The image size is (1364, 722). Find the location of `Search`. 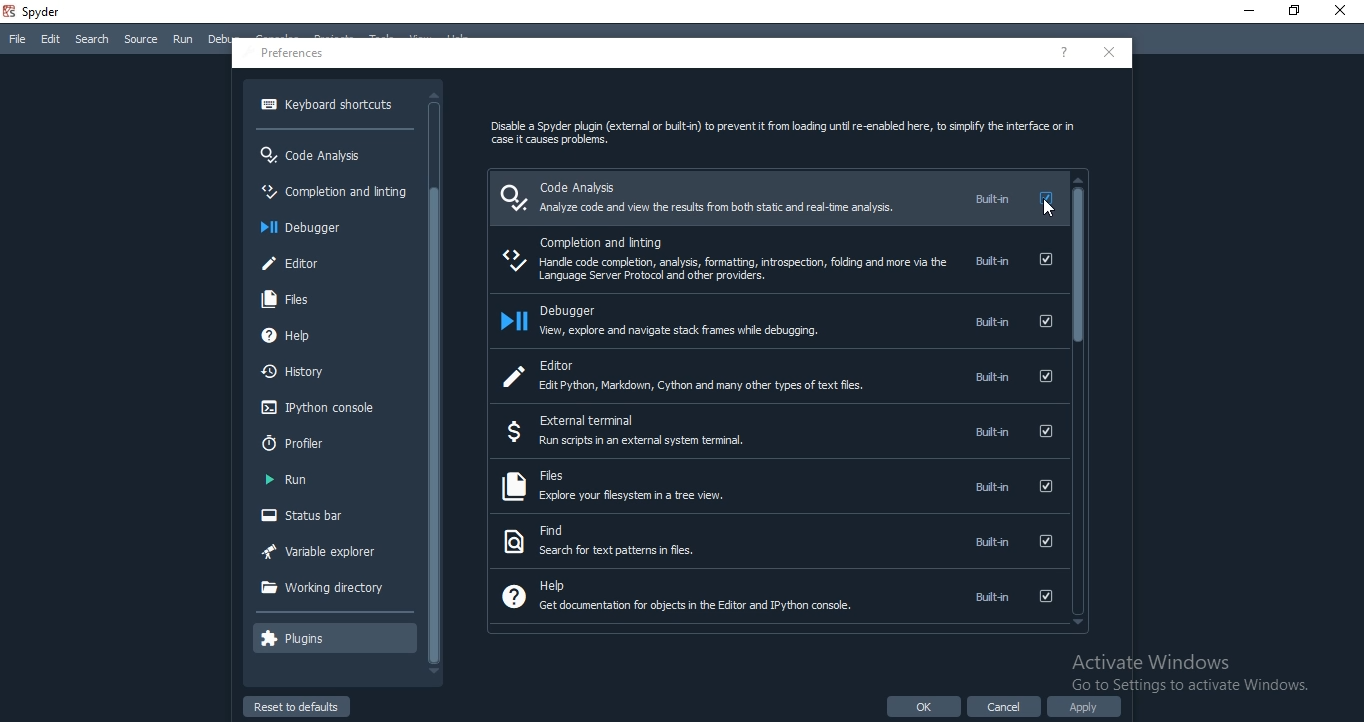

Search is located at coordinates (93, 39).